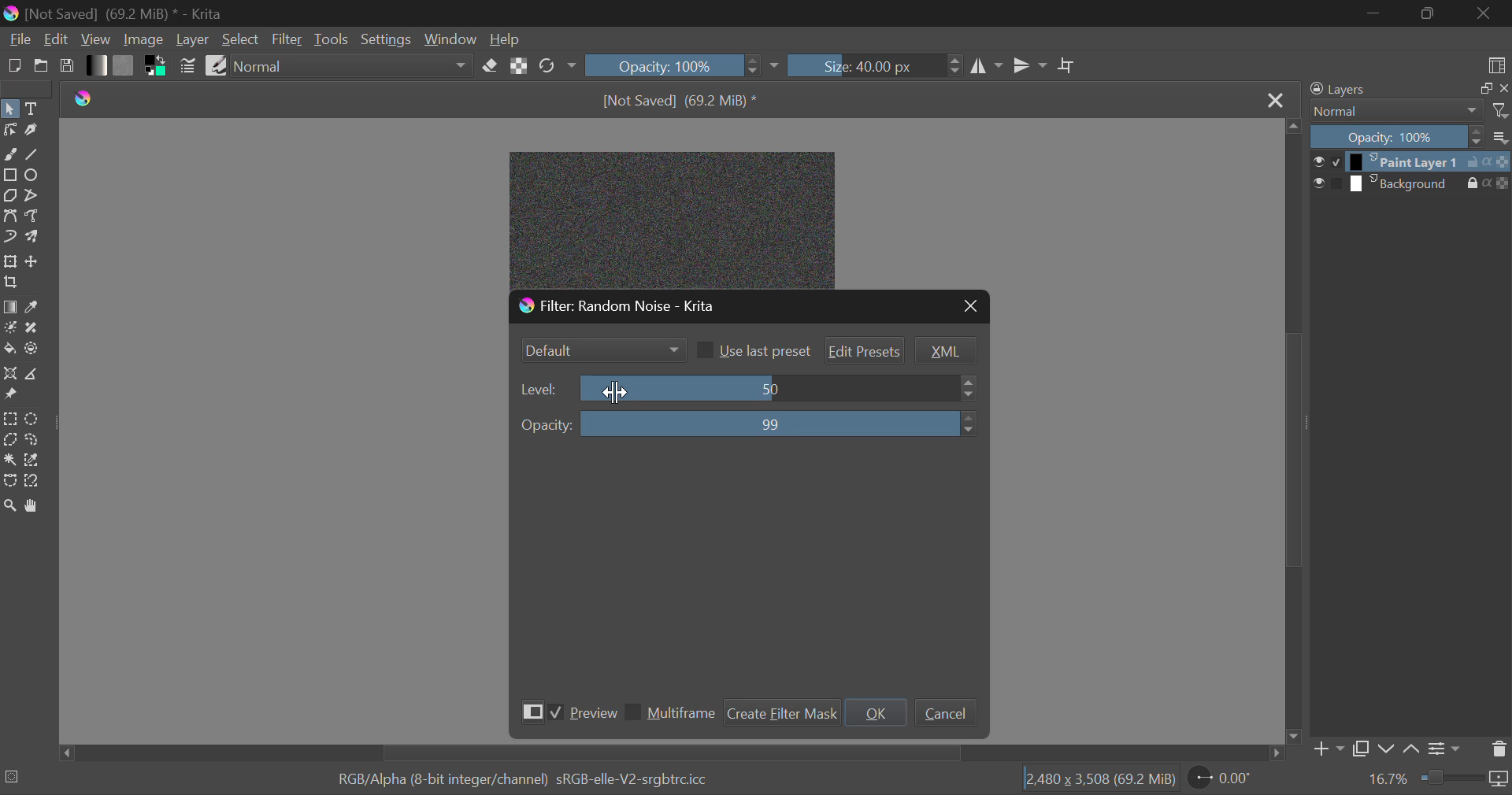  What do you see at coordinates (1335, 183) in the screenshot?
I see `checkbox` at bounding box center [1335, 183].